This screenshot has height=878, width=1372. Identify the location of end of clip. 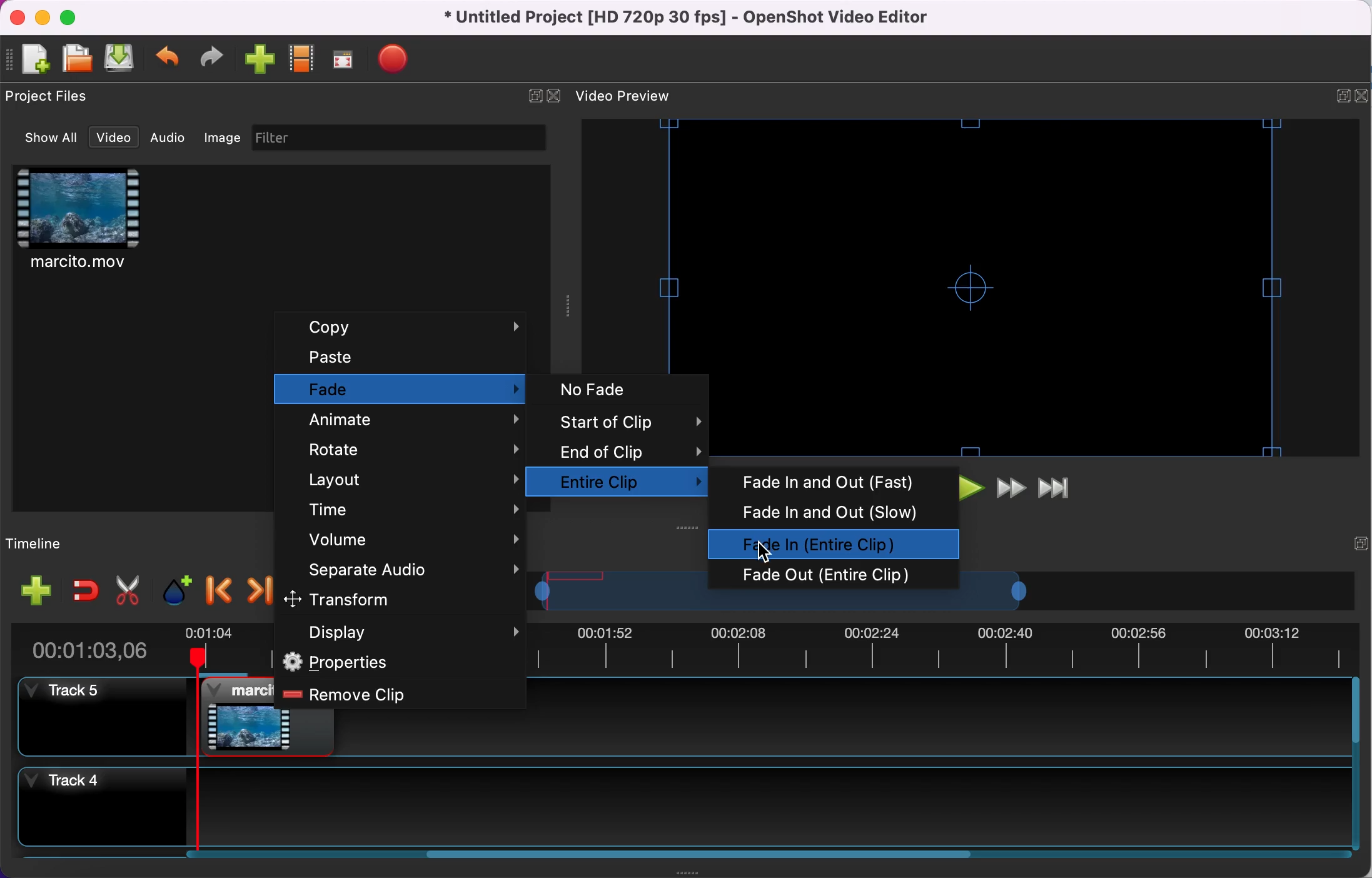
(630, 449).